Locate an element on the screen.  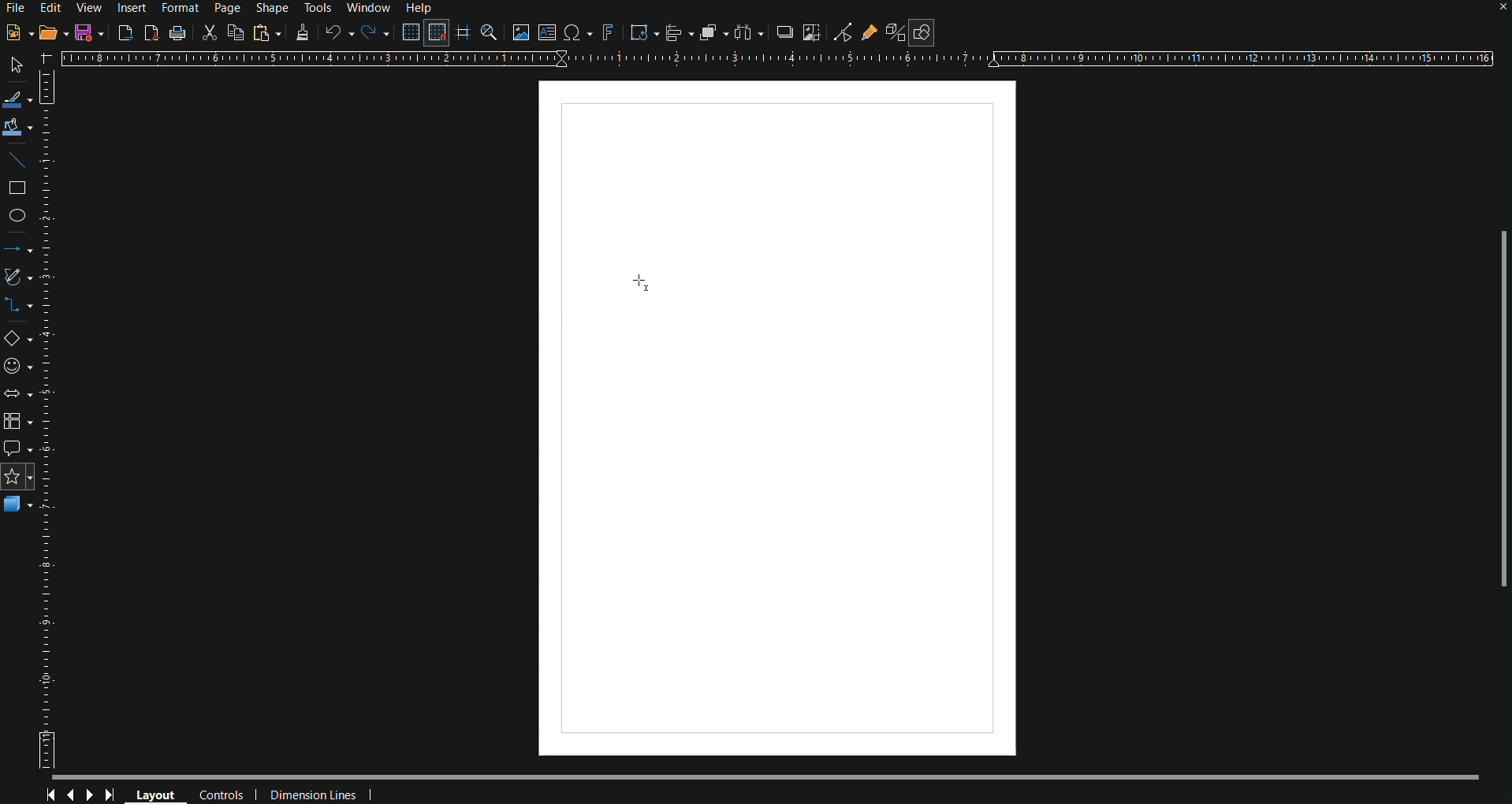
Display Grid is located at coordinates (408, 33).